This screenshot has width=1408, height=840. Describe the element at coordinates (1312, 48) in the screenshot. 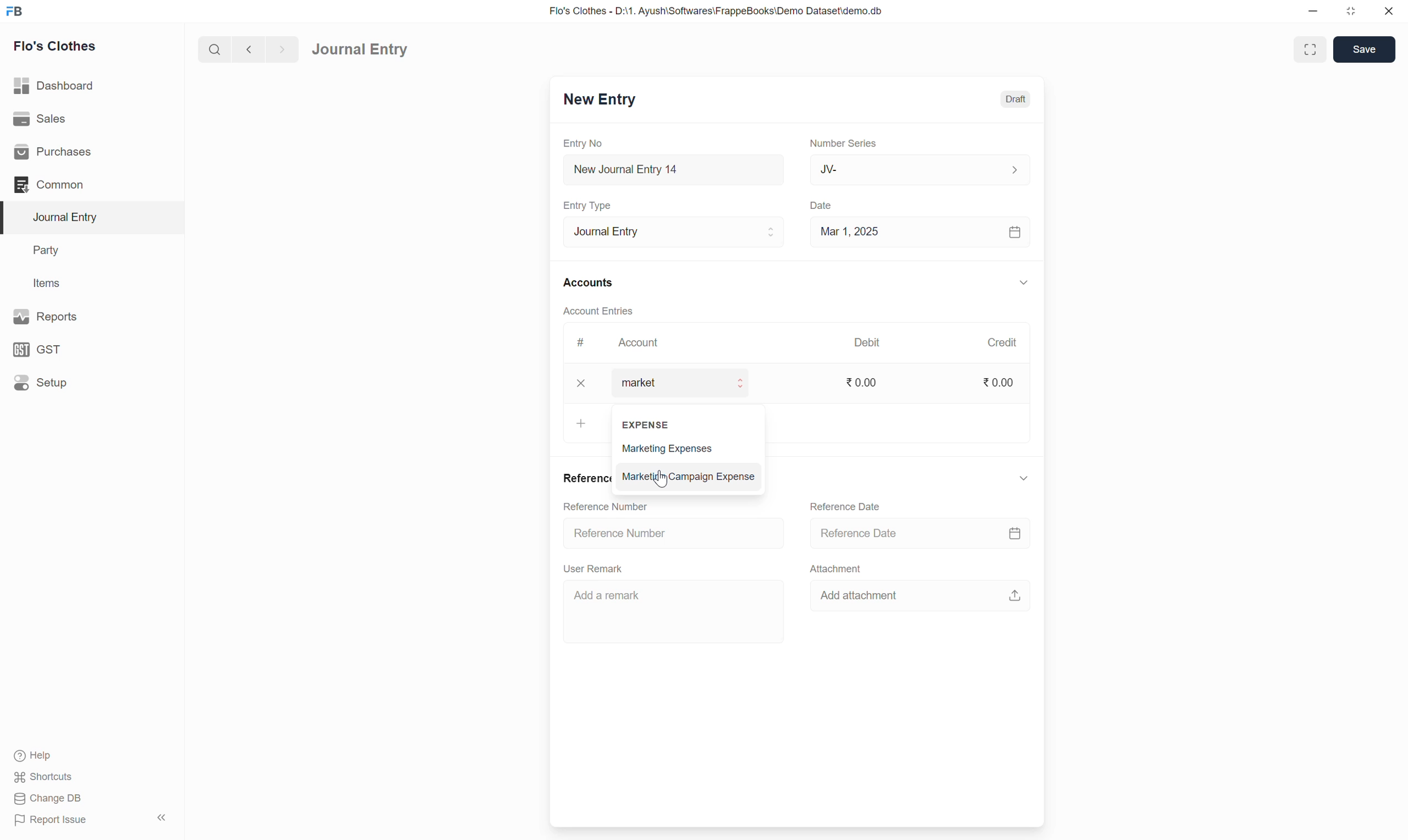

I see `enlarge` at that location.